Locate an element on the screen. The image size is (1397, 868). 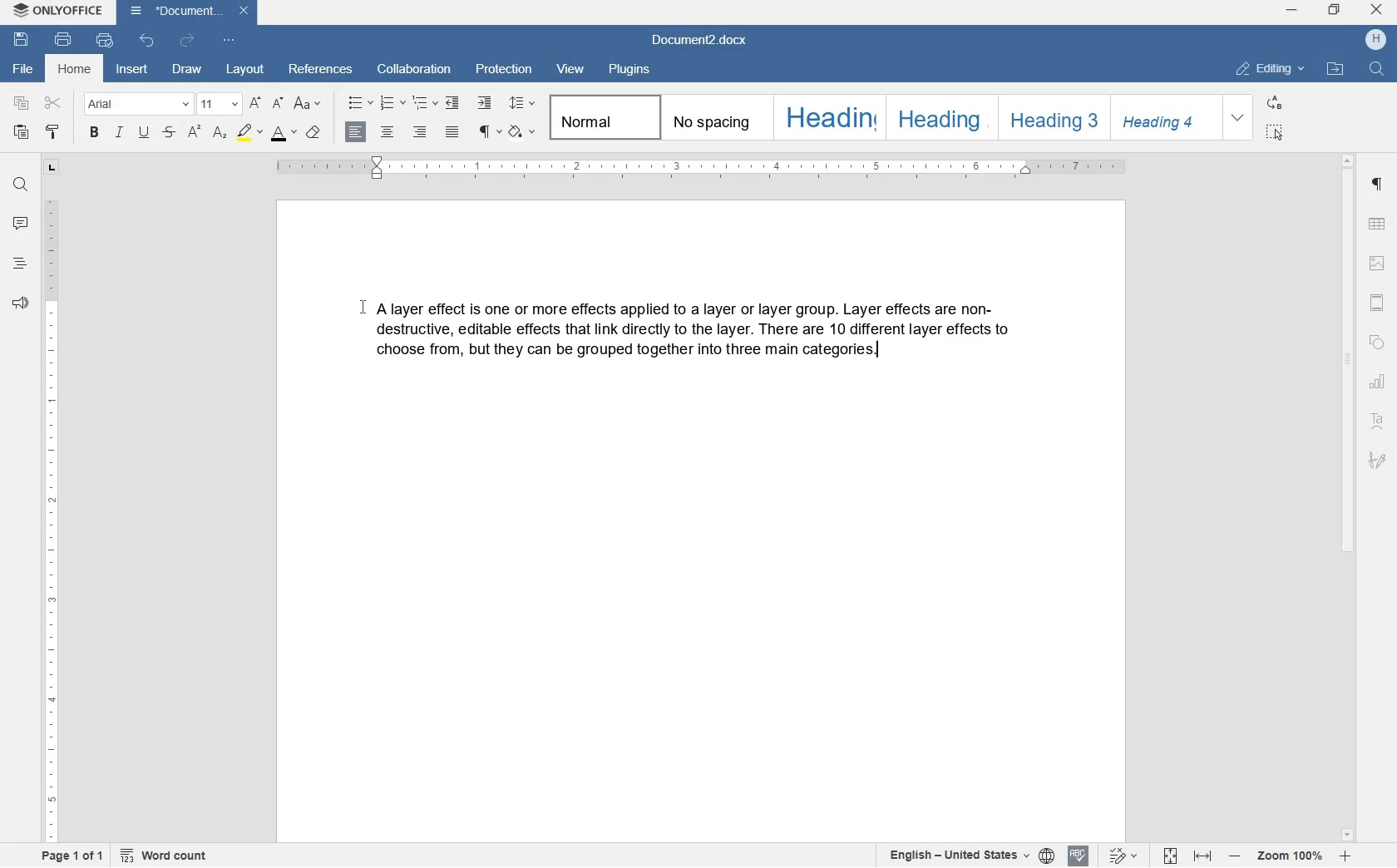
tab stop is located at coordinates (51, 170).